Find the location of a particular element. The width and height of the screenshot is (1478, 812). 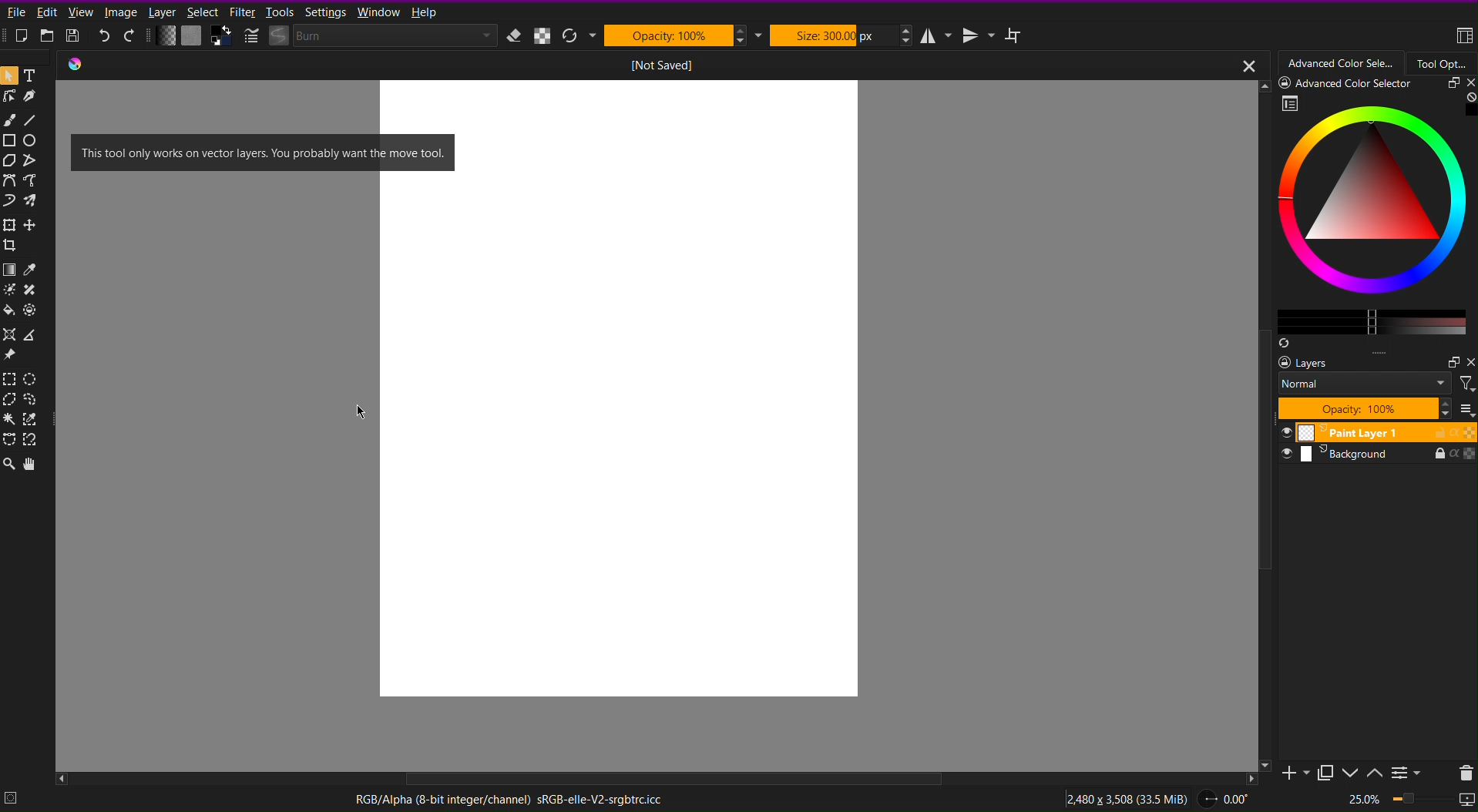

Workspace is located at coordinates (1463, 37).